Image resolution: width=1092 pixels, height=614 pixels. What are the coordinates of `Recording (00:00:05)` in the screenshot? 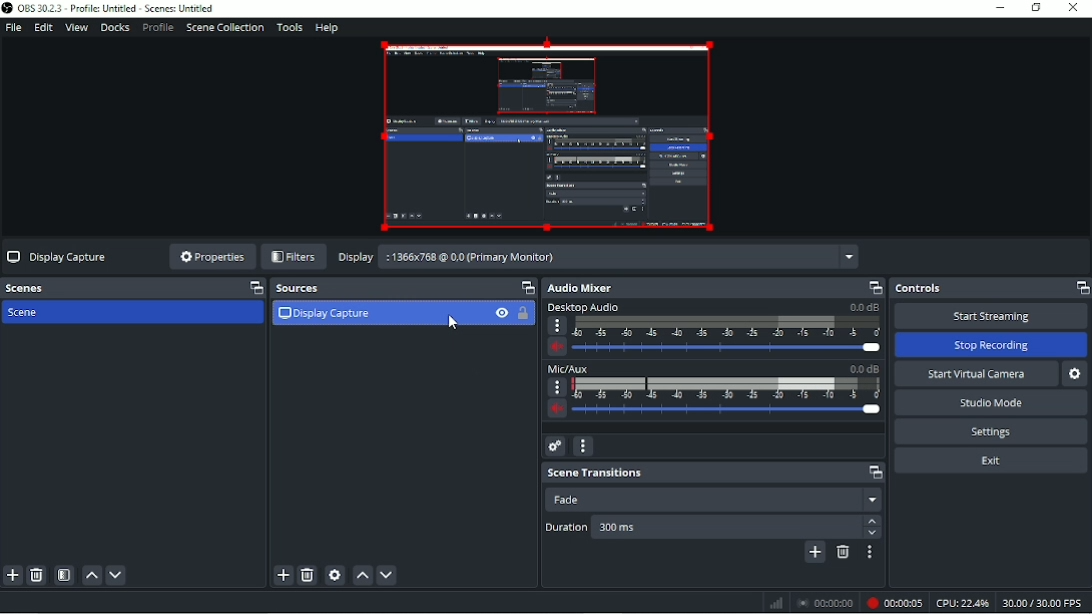 It's located at (896, 602).